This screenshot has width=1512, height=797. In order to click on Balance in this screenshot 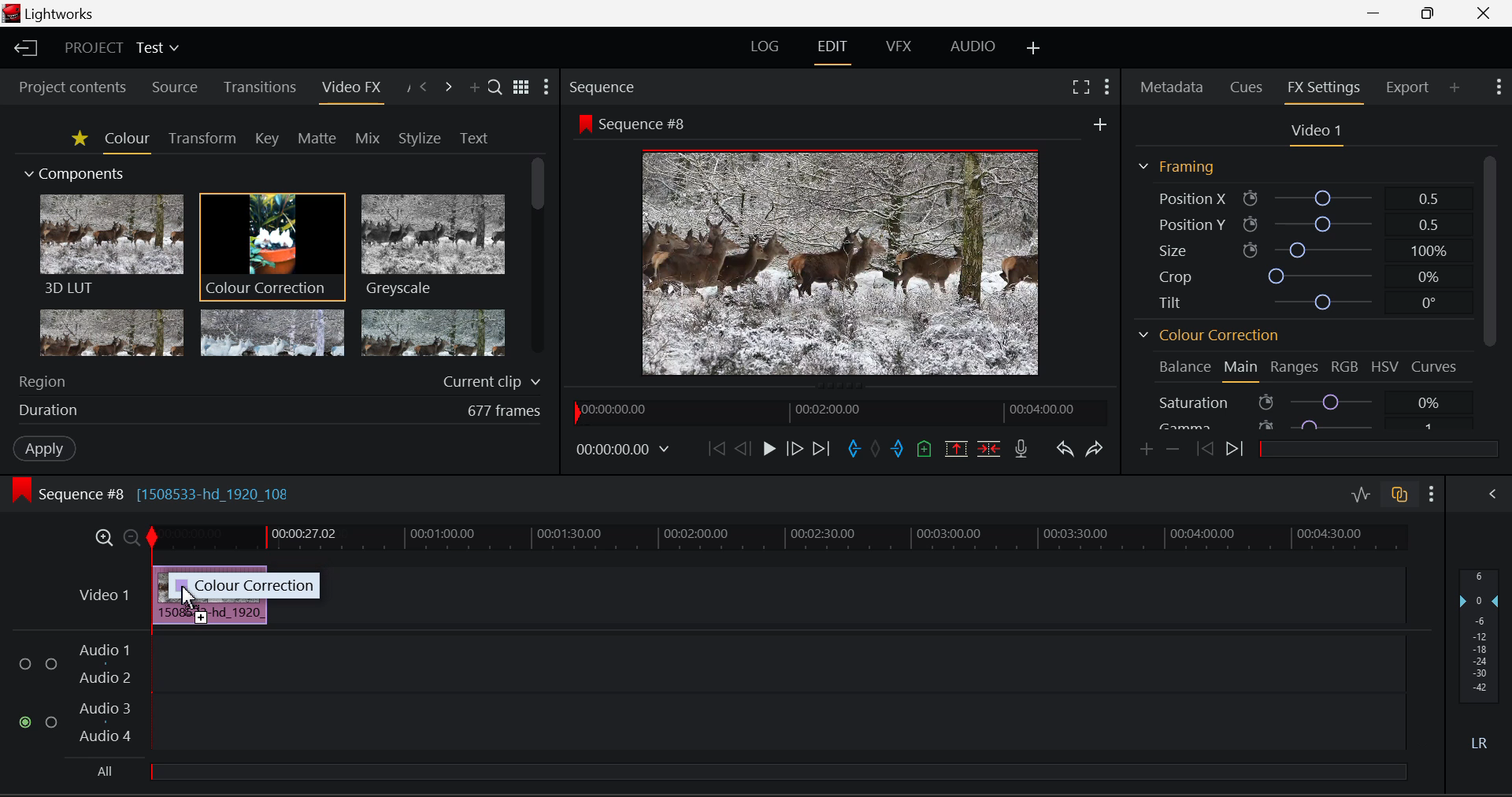, I will do `click(1184, 366)`.